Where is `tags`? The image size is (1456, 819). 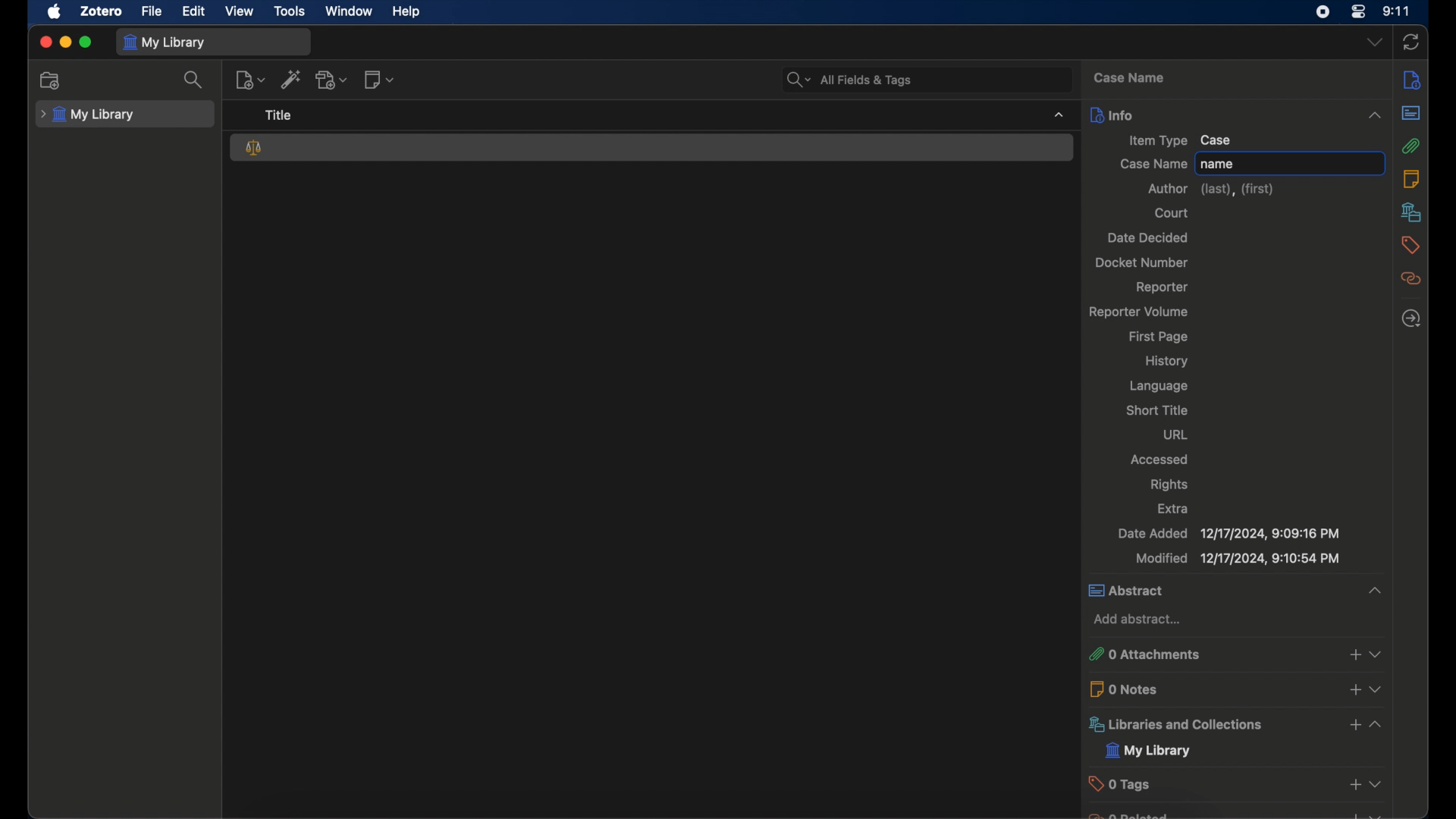 tags is located at coordinates (1410, 244).